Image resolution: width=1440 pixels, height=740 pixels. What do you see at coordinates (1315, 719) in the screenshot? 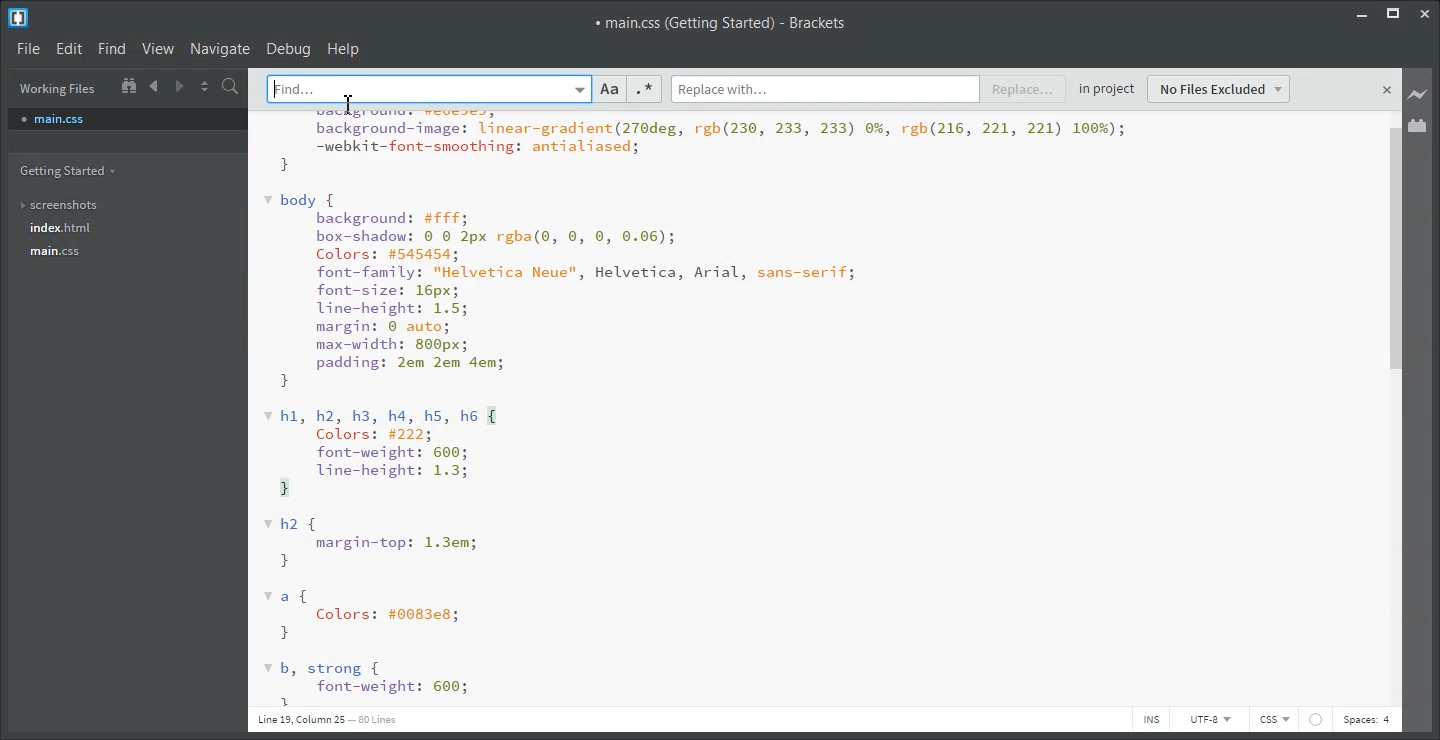
I see `icon` at bounding box center [1315, 719].